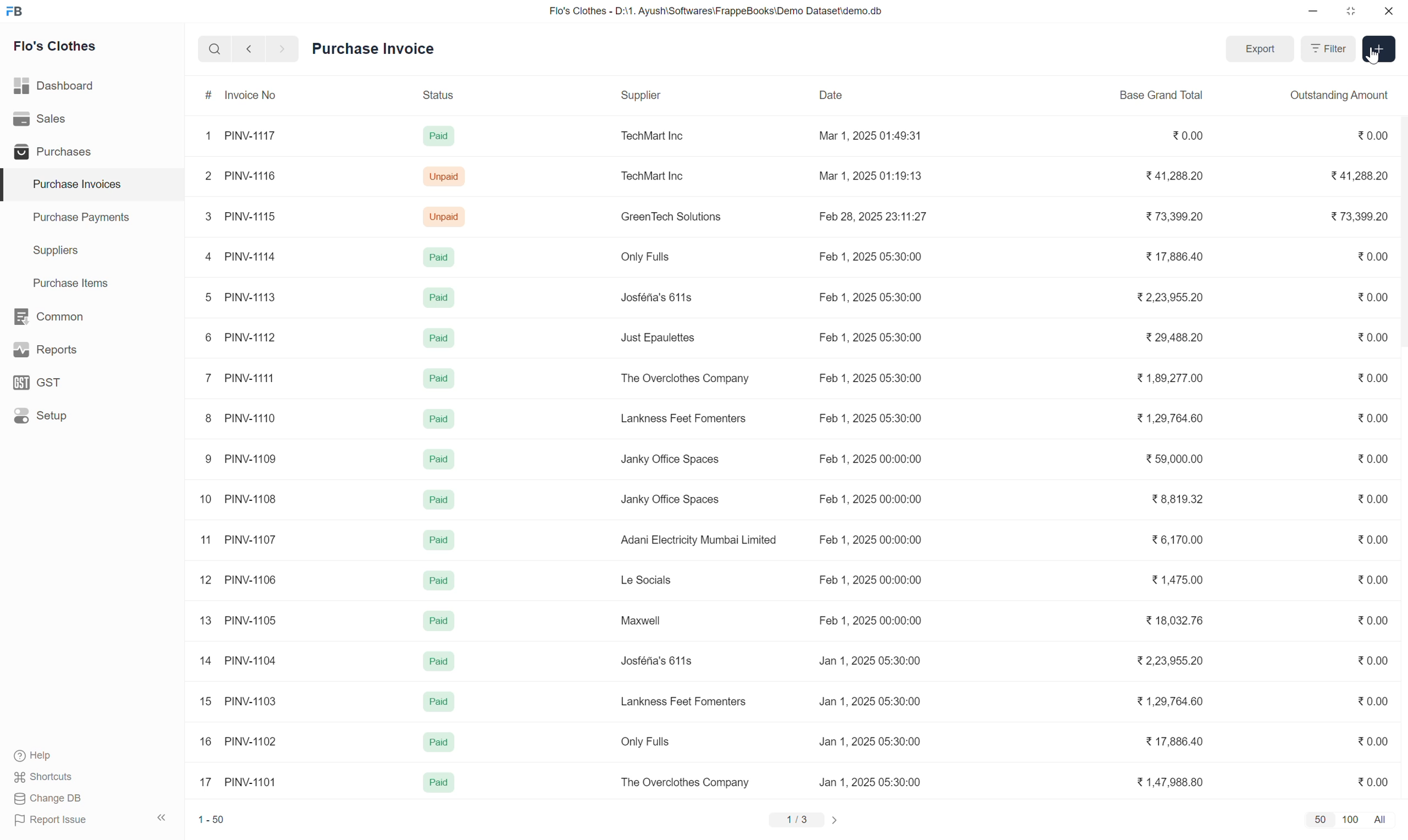  Describe the element at coordinates (1169, 378) in the screenshot. I see `1,89,277.00` at that location.